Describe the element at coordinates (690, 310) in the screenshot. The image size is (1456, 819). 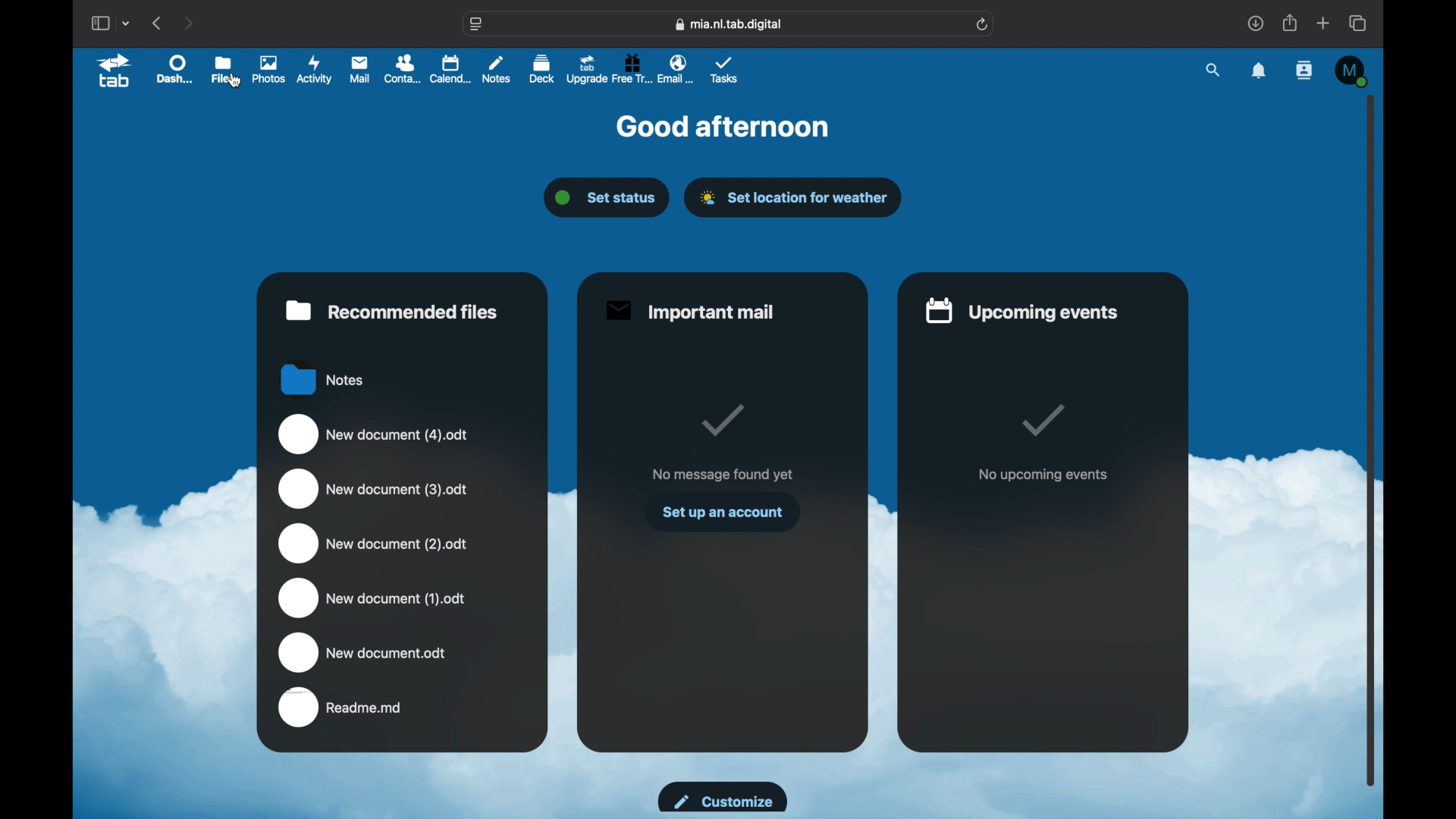
I see `important mail` at that location.